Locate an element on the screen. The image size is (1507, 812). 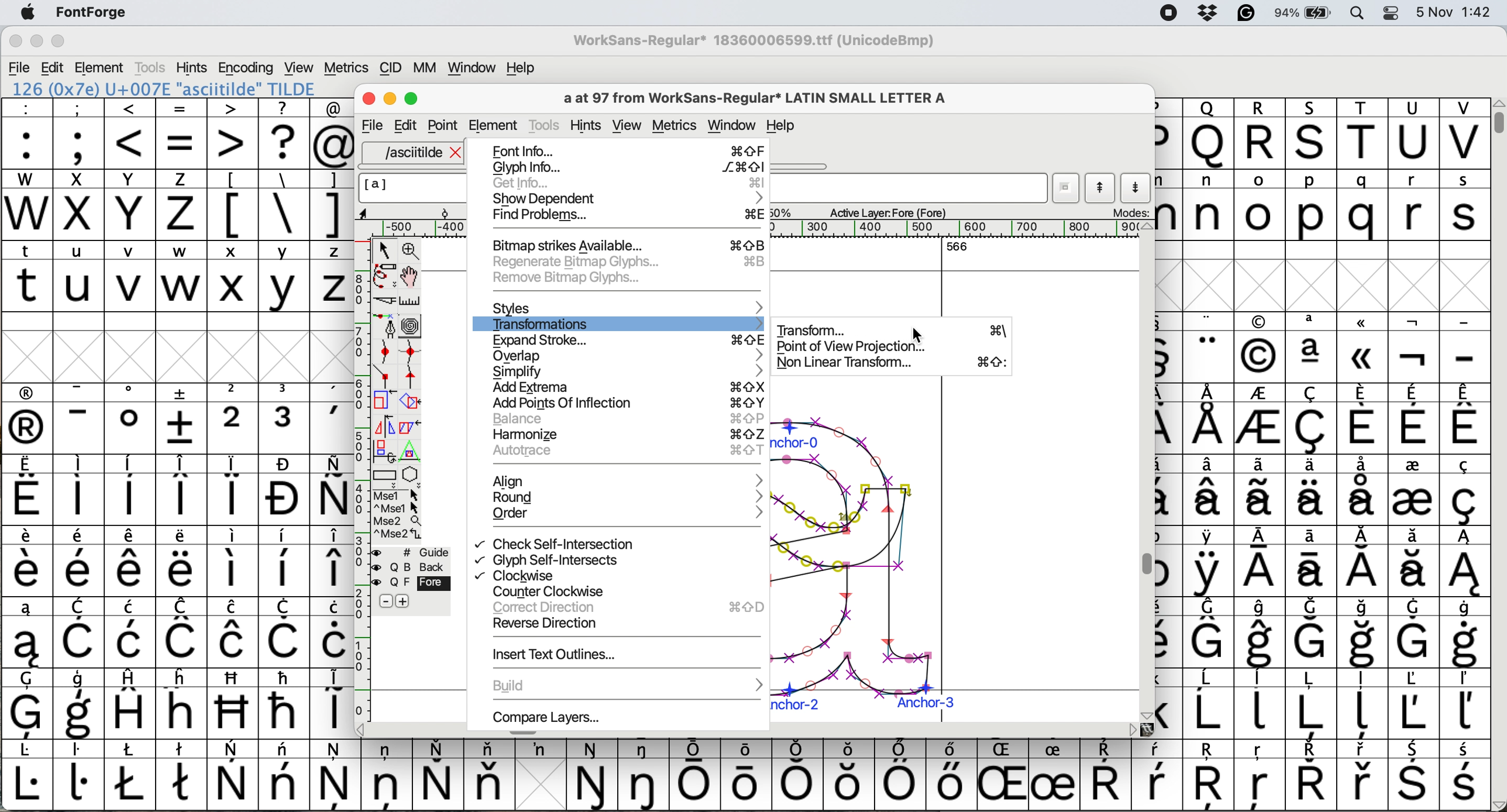
symbol is located at coordinates (1105, 776).